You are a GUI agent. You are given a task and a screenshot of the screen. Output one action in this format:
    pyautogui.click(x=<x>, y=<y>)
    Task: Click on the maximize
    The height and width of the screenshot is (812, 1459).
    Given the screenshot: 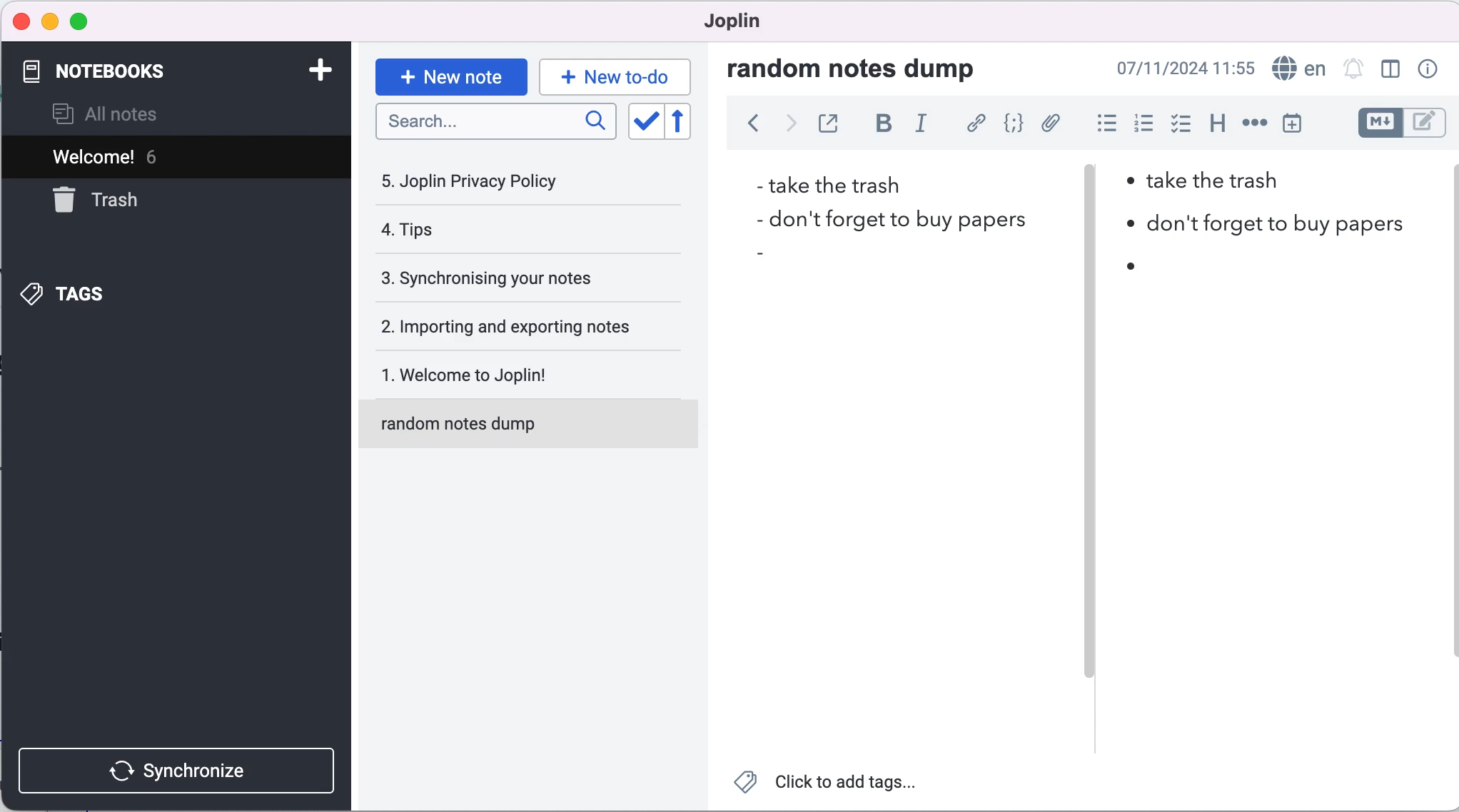 What is the action you would take?
    pyautogui.click(x=79, y=23)
    